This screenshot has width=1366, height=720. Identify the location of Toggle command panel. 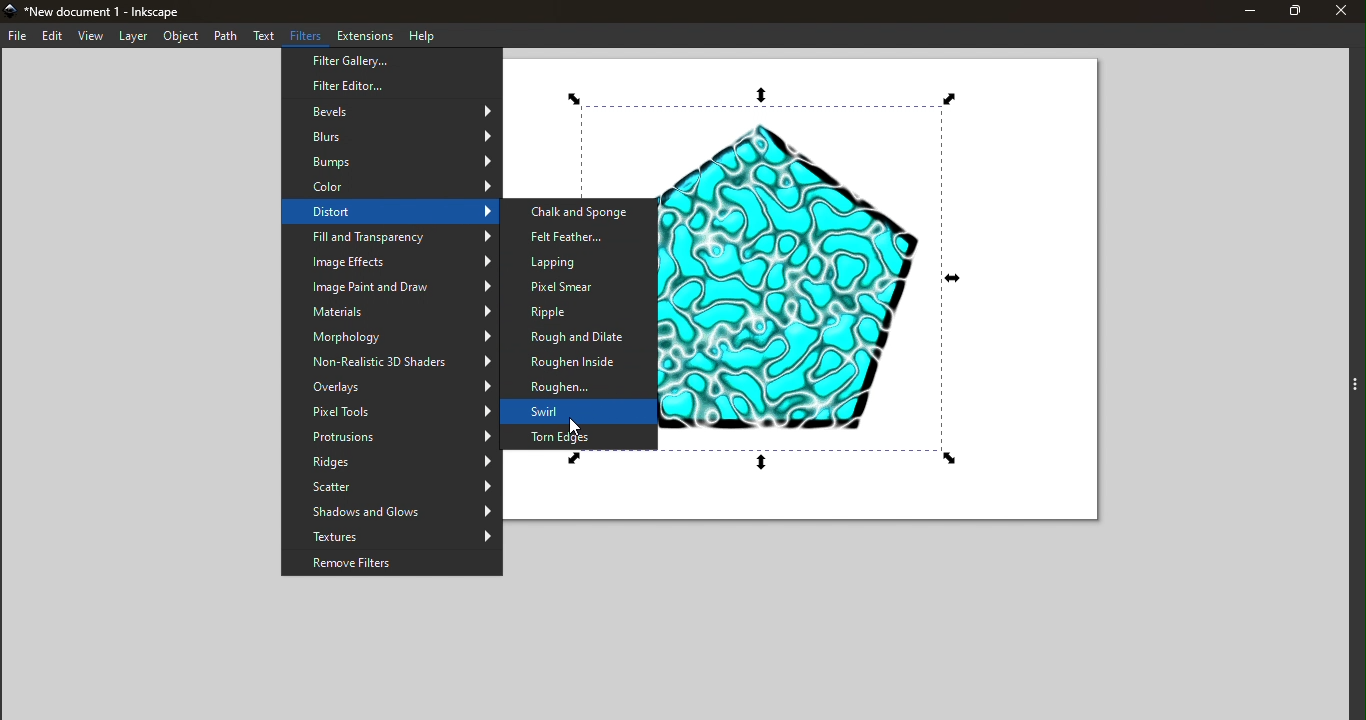
(1357, 387).